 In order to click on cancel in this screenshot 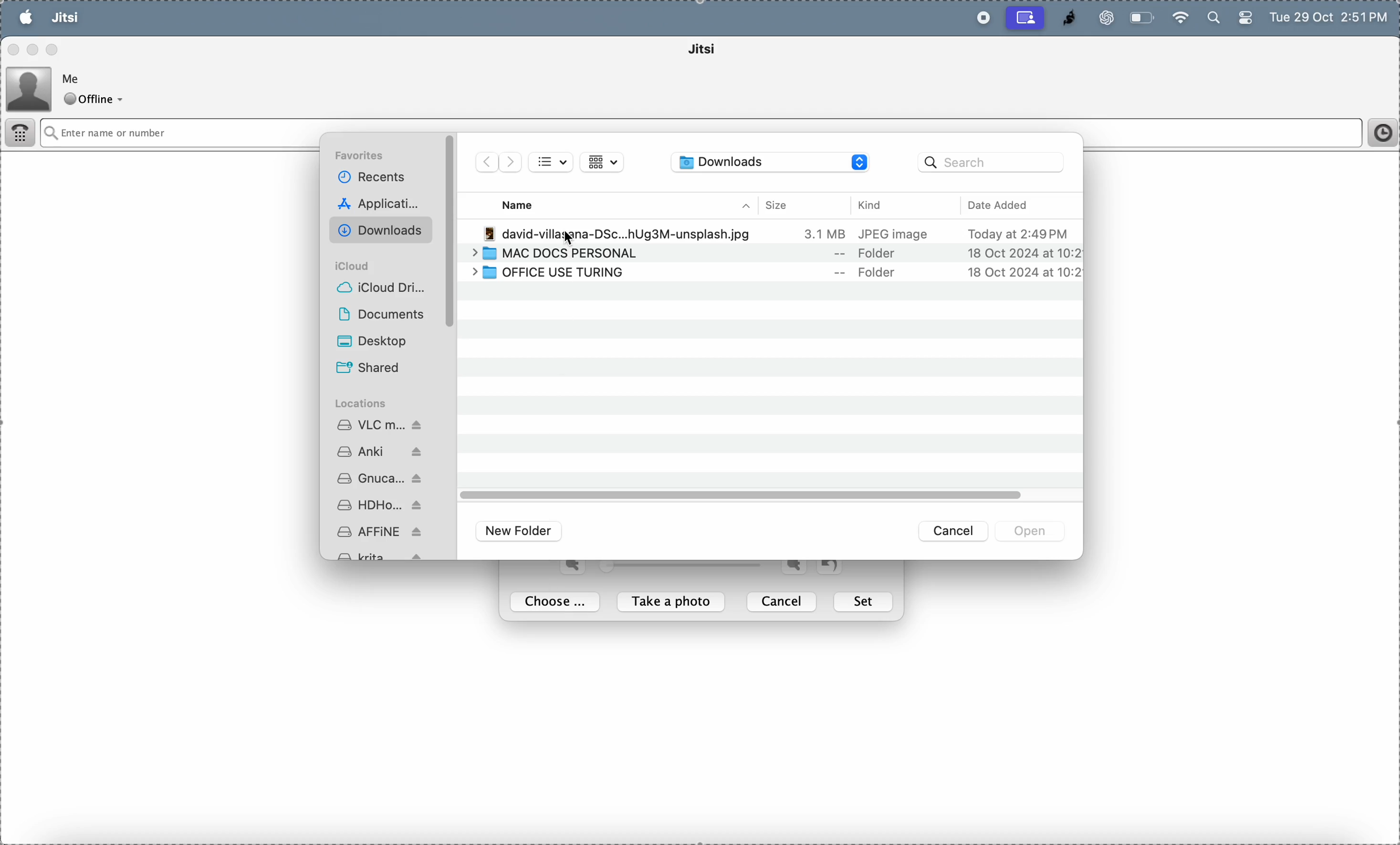, I will do `click(784, 601)`.